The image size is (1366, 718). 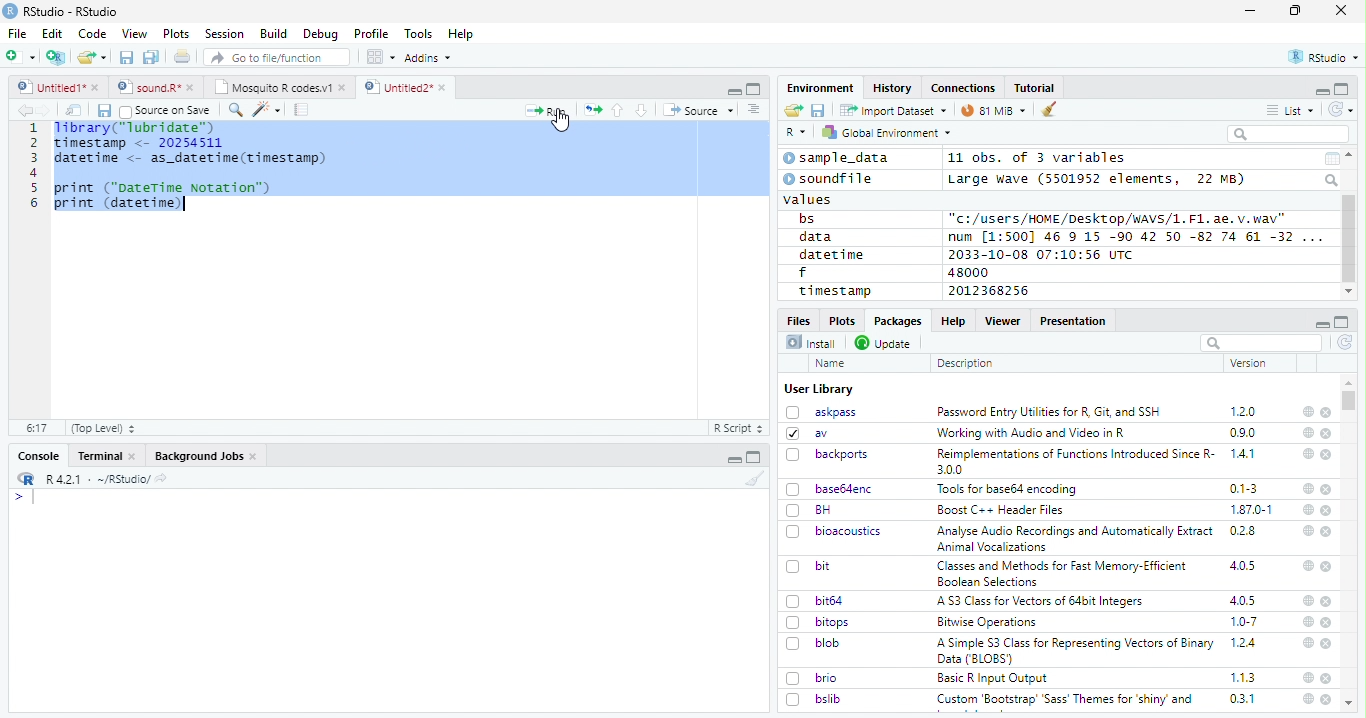 I want to click on Scroll bar, so click(x=1350, y=239).